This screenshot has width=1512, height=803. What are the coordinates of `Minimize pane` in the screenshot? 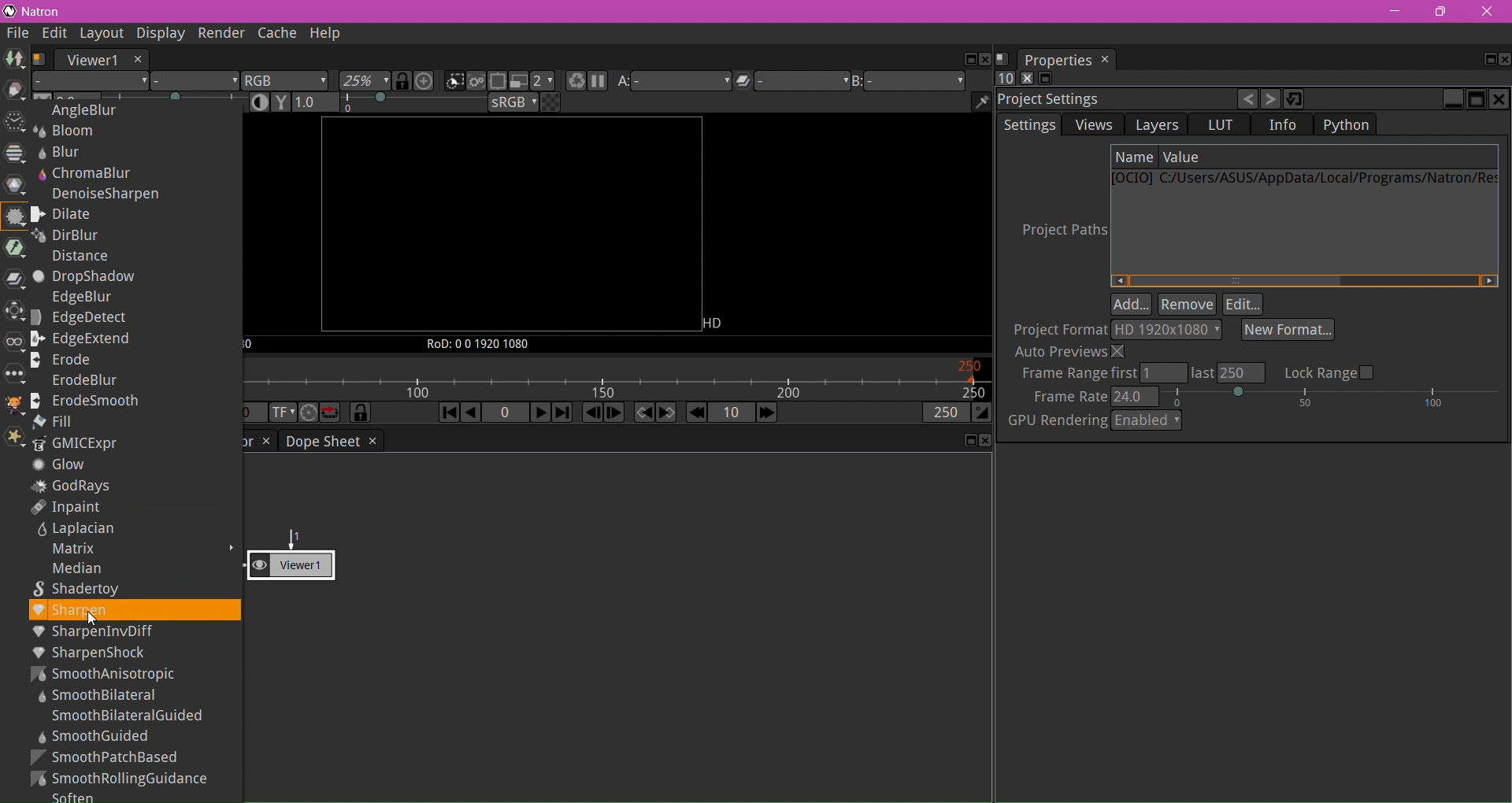 It's located at (1452, 99).